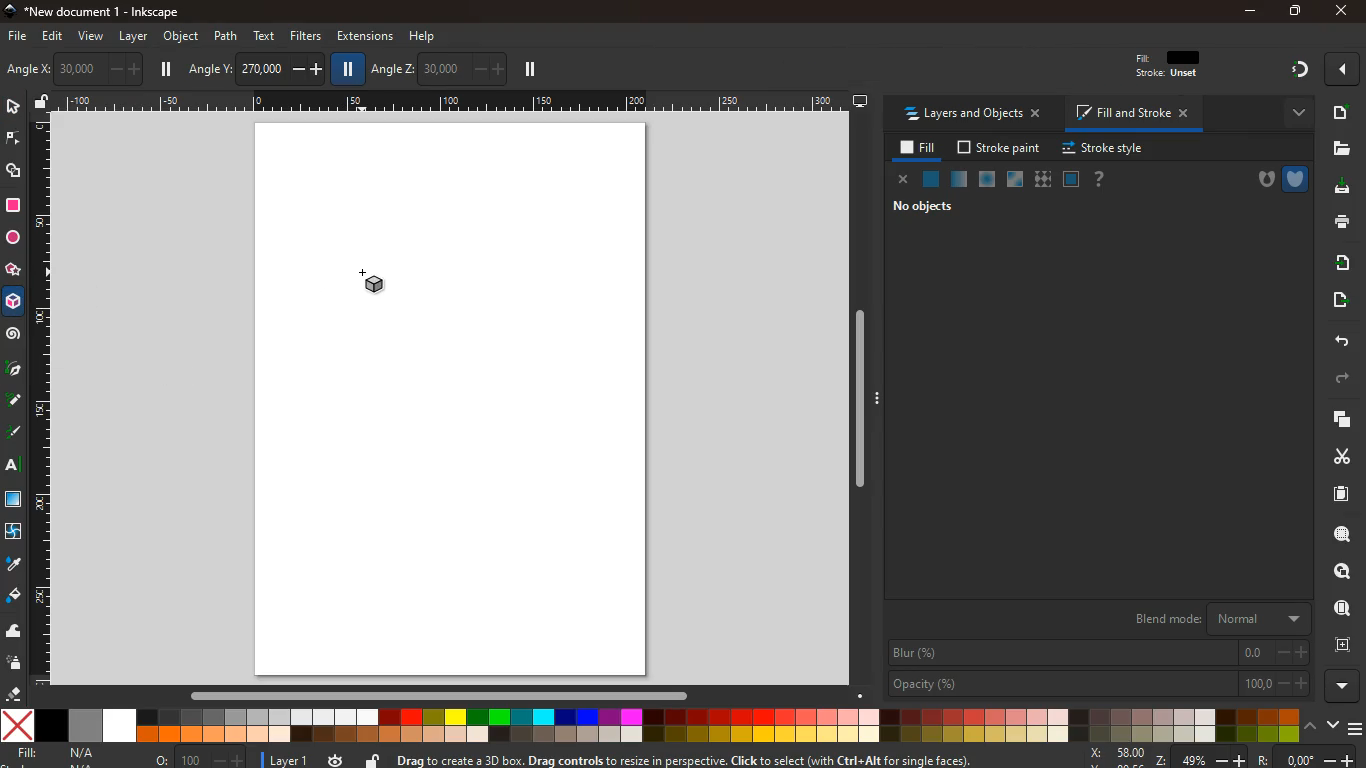  What do you see at coordinates (1354, 724) in the screenshot?
I see `menu` at bounding box center [1354, 724].